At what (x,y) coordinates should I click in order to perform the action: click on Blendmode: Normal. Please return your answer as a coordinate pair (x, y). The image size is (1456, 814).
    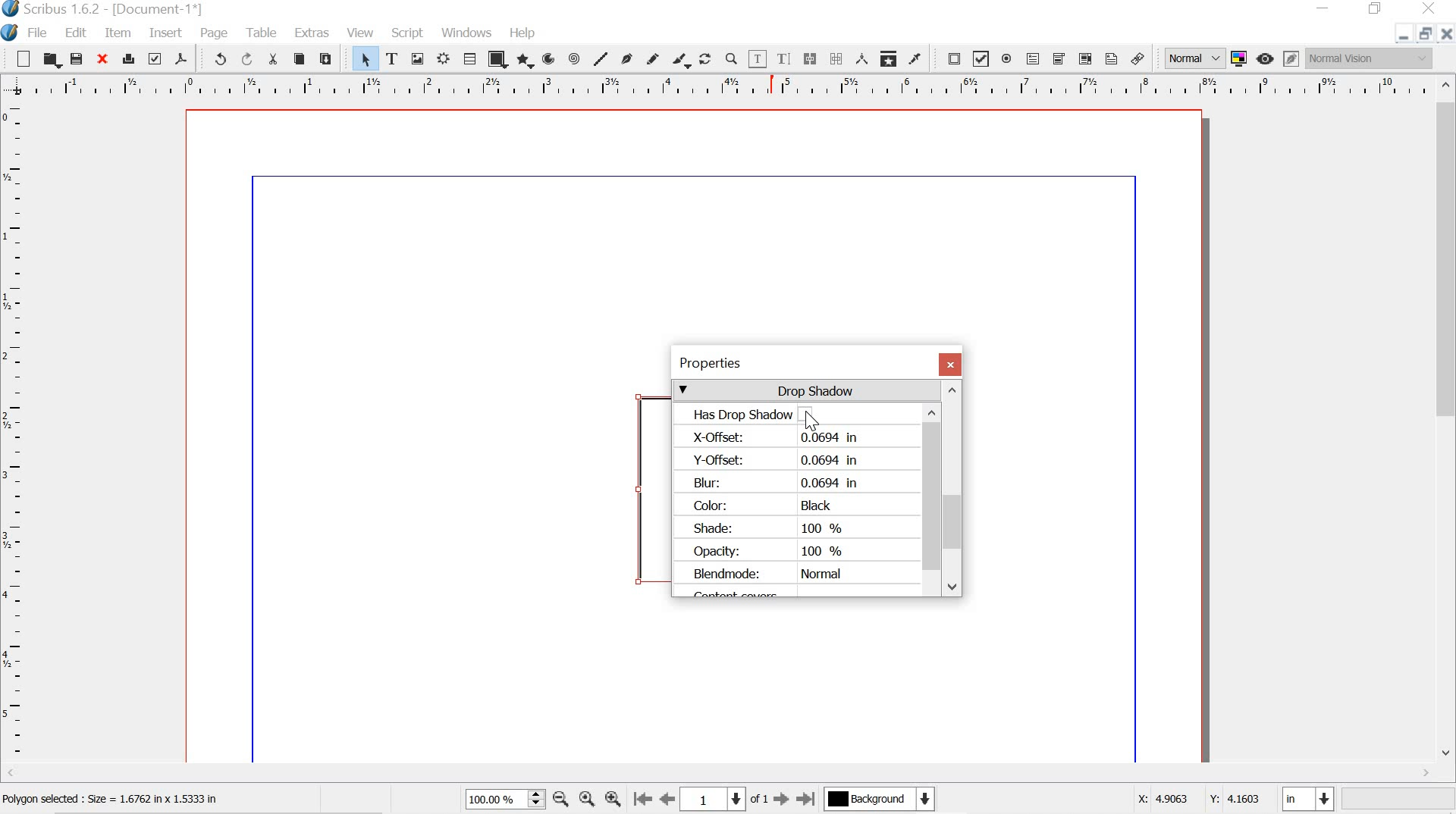
    Looking at the image, I should click on (767, 574).